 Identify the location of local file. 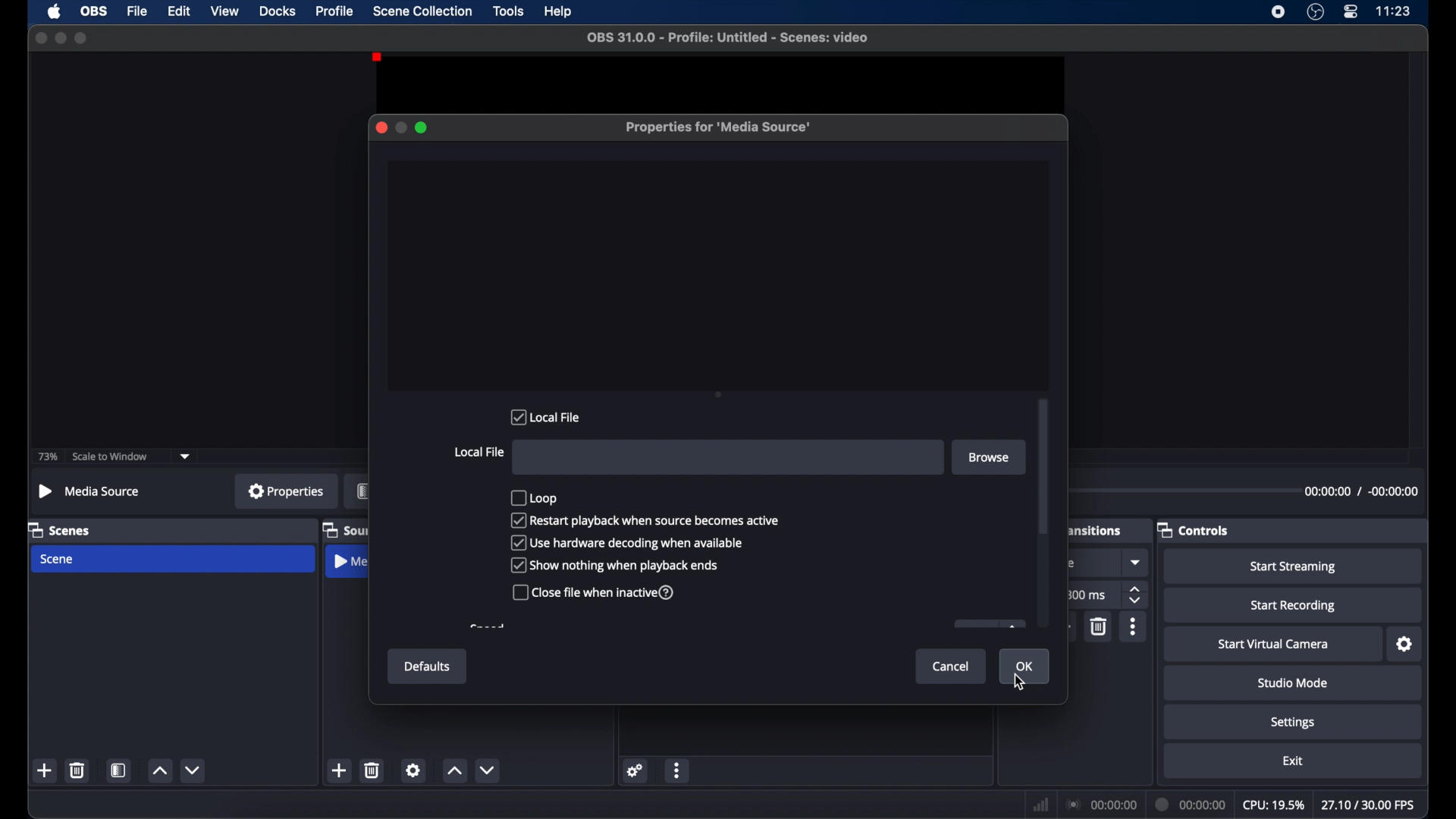
(545, 416).